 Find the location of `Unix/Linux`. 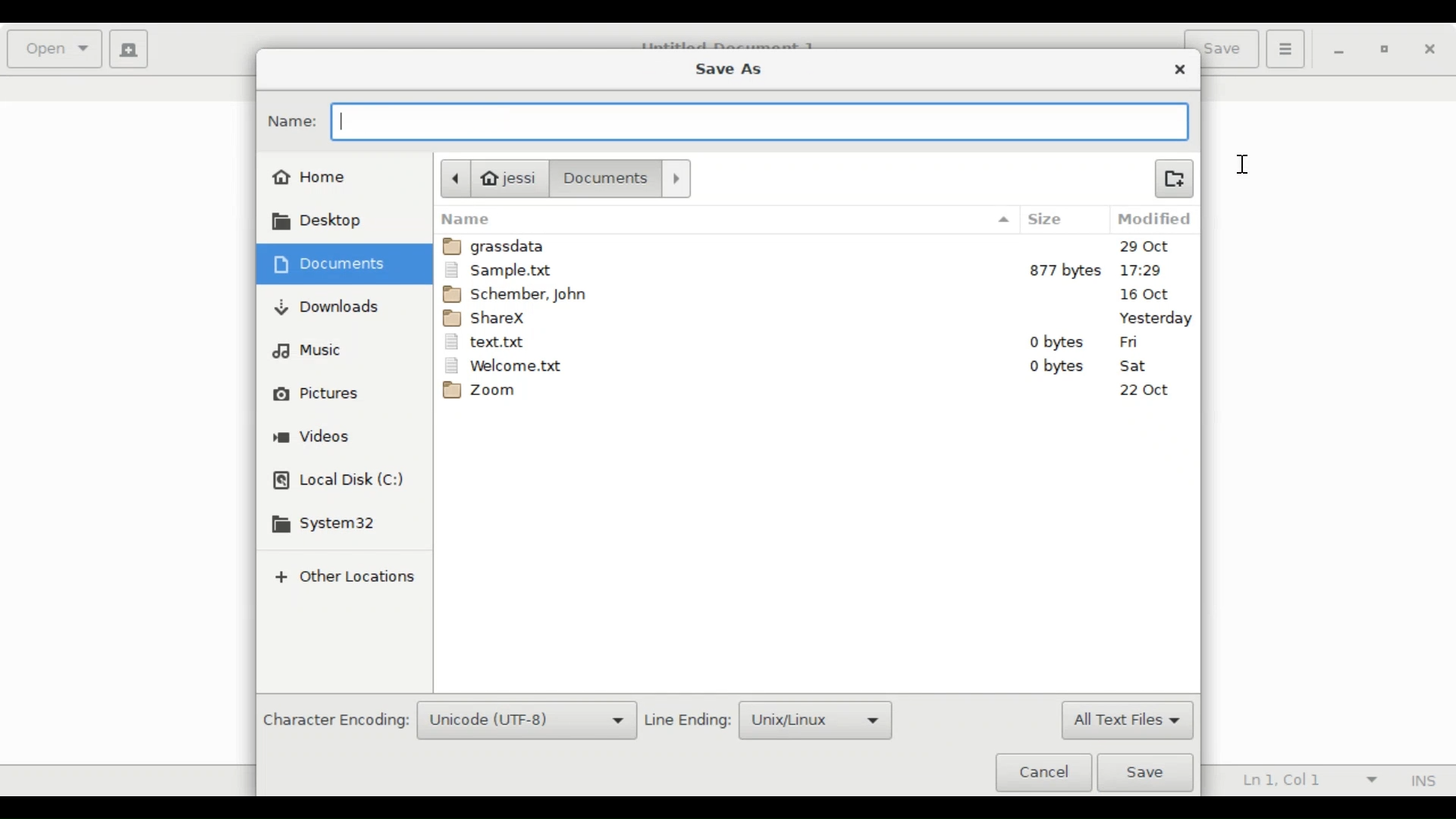

Unix/Linux is located at coordinates (817, 720).